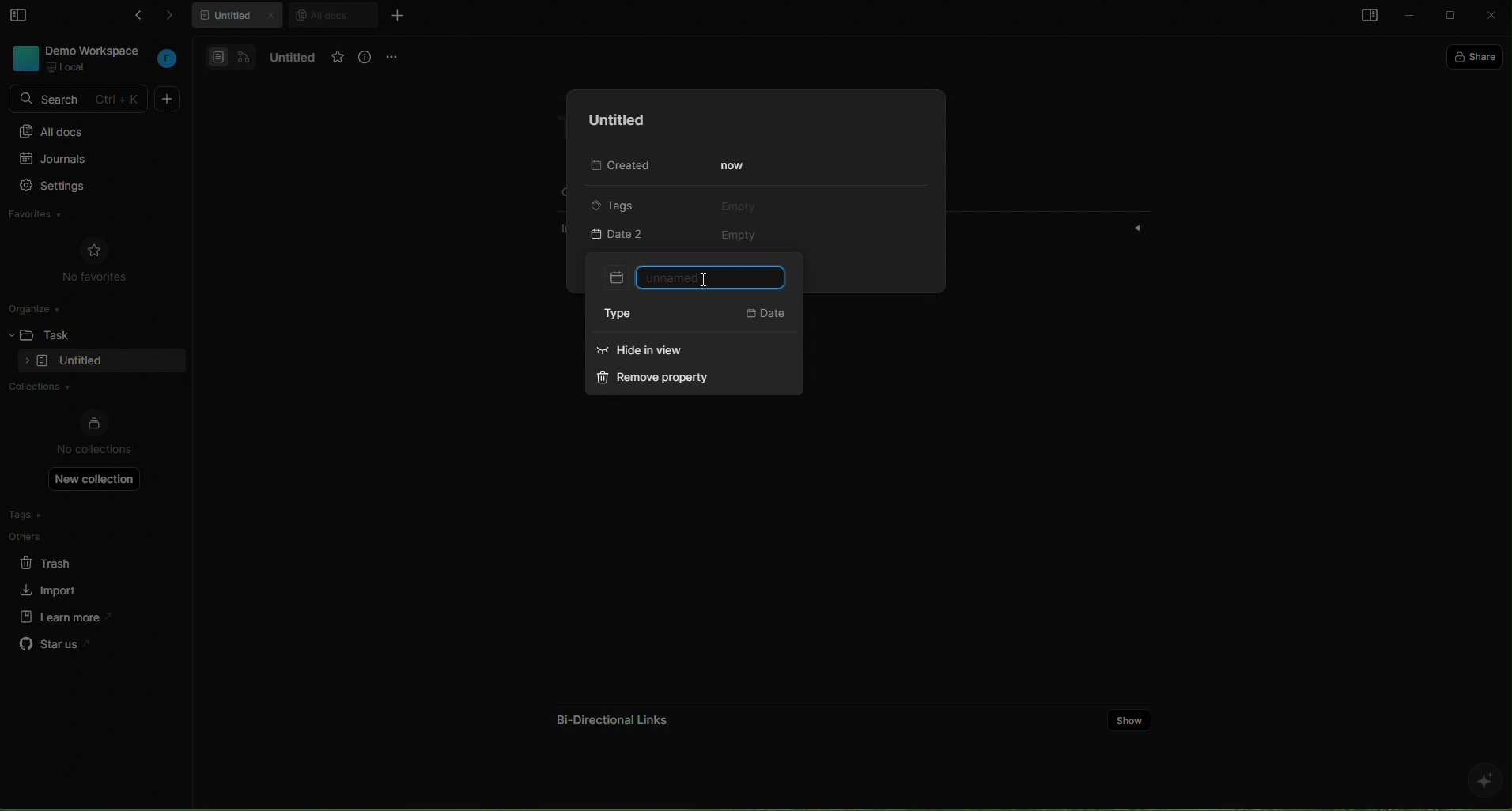  What do you see at coordinates (93, 130) in the screenshot?
I see `all docs` at bounding box center [93, 130].